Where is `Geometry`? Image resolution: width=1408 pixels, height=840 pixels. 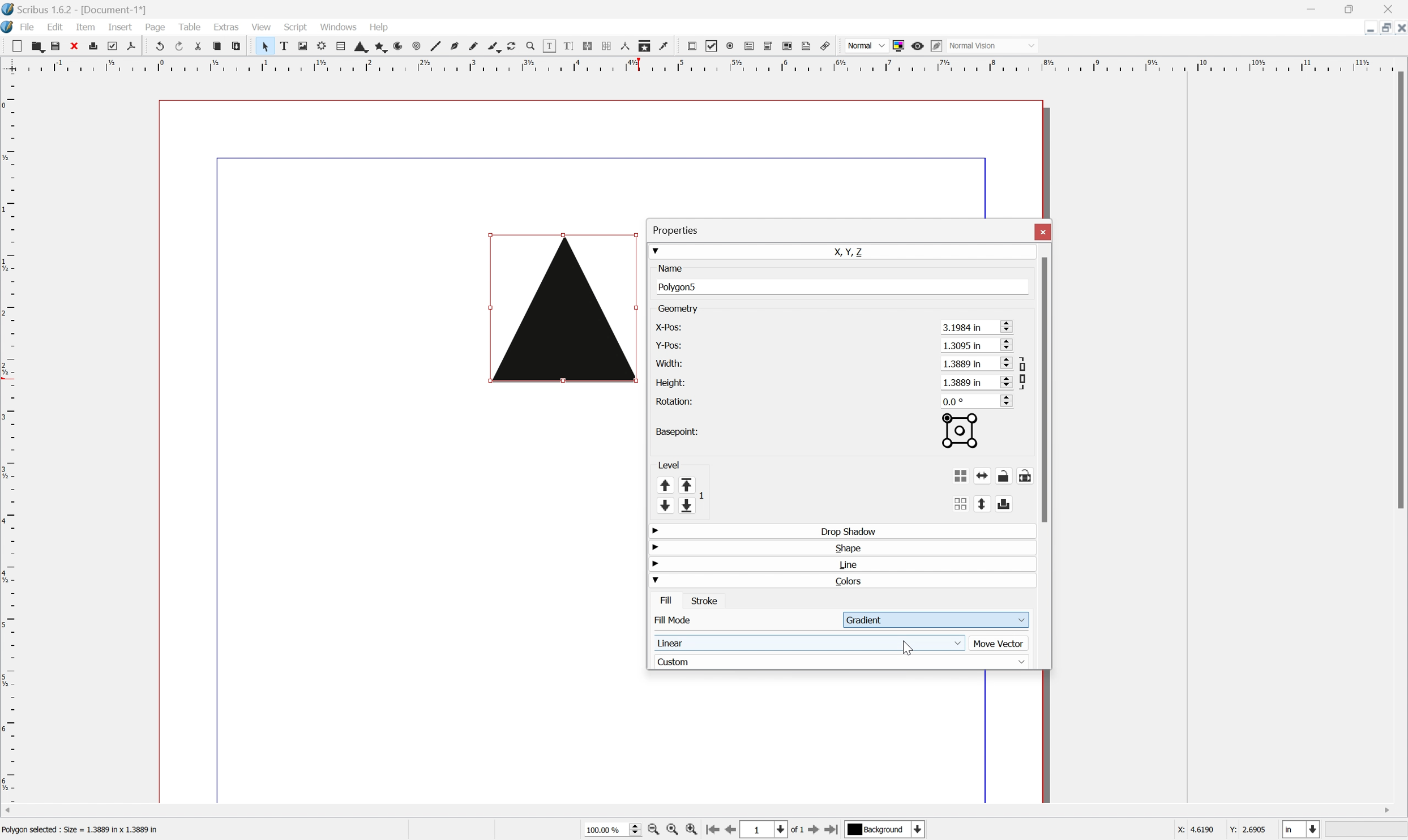
Geometry is located at coordinates (679, 308).